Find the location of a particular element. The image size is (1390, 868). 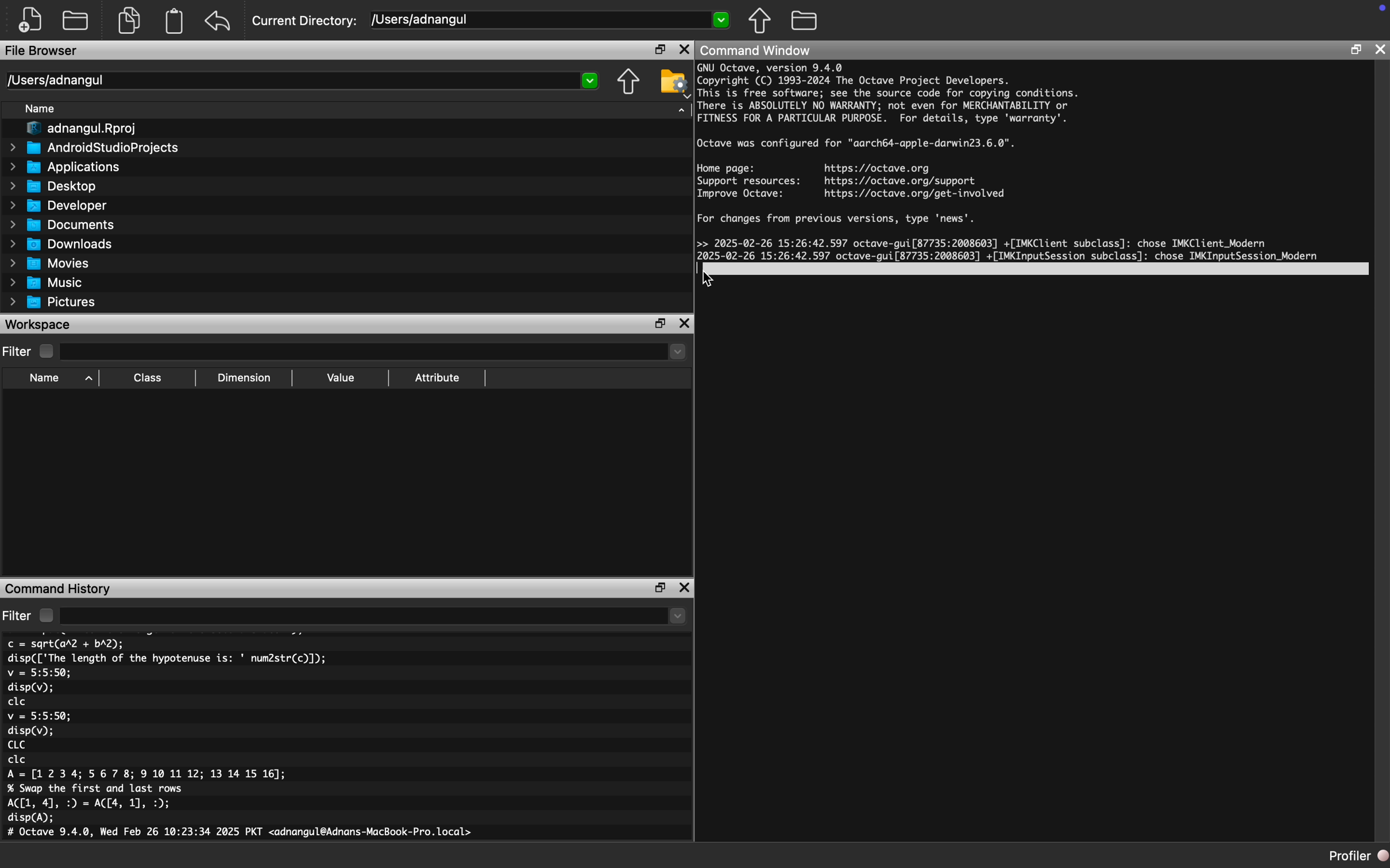

v = 5:5:50; is located at coordinates (39, 673).